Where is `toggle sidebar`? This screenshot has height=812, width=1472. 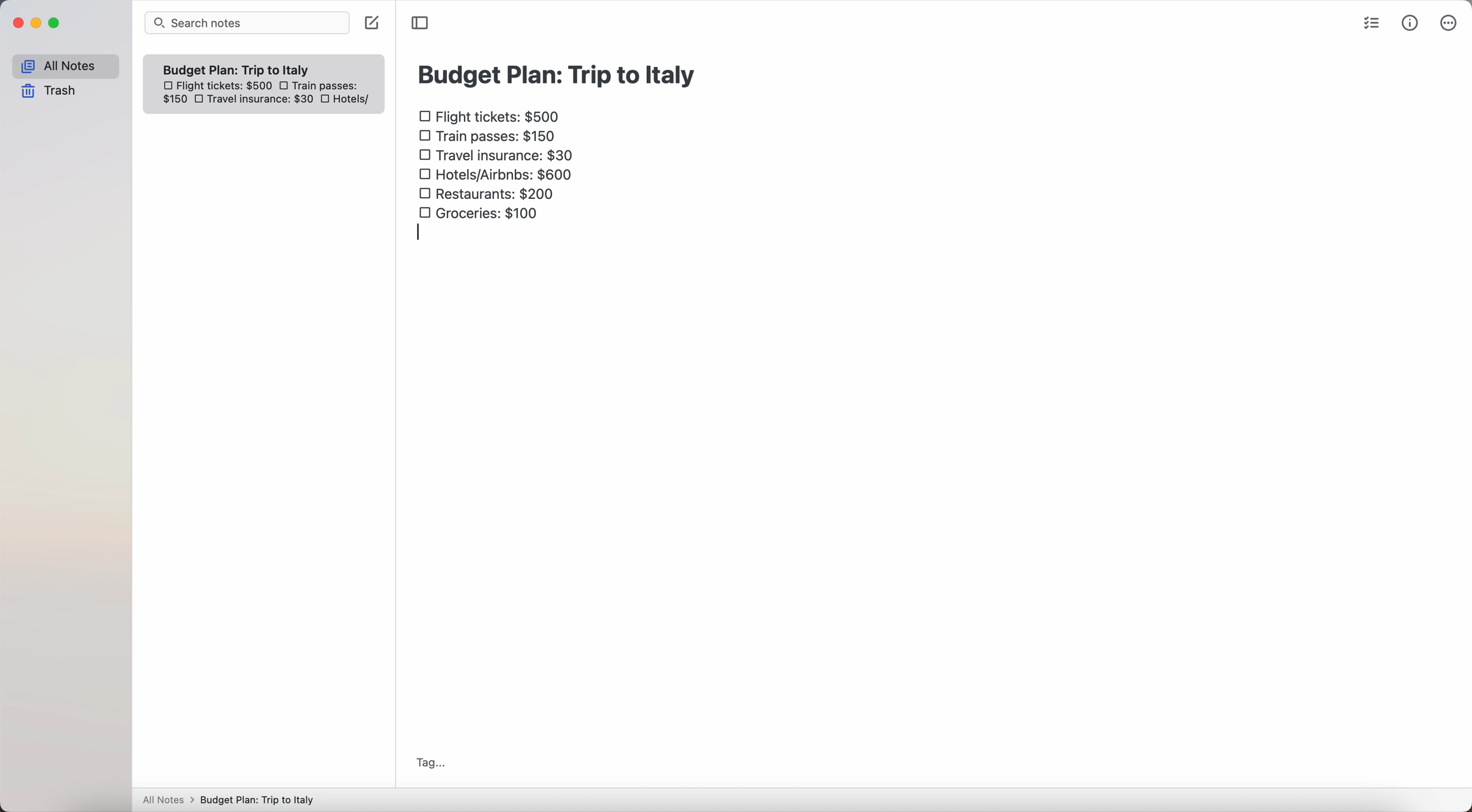 toggle sidebar is located at coordinates (421, 22).